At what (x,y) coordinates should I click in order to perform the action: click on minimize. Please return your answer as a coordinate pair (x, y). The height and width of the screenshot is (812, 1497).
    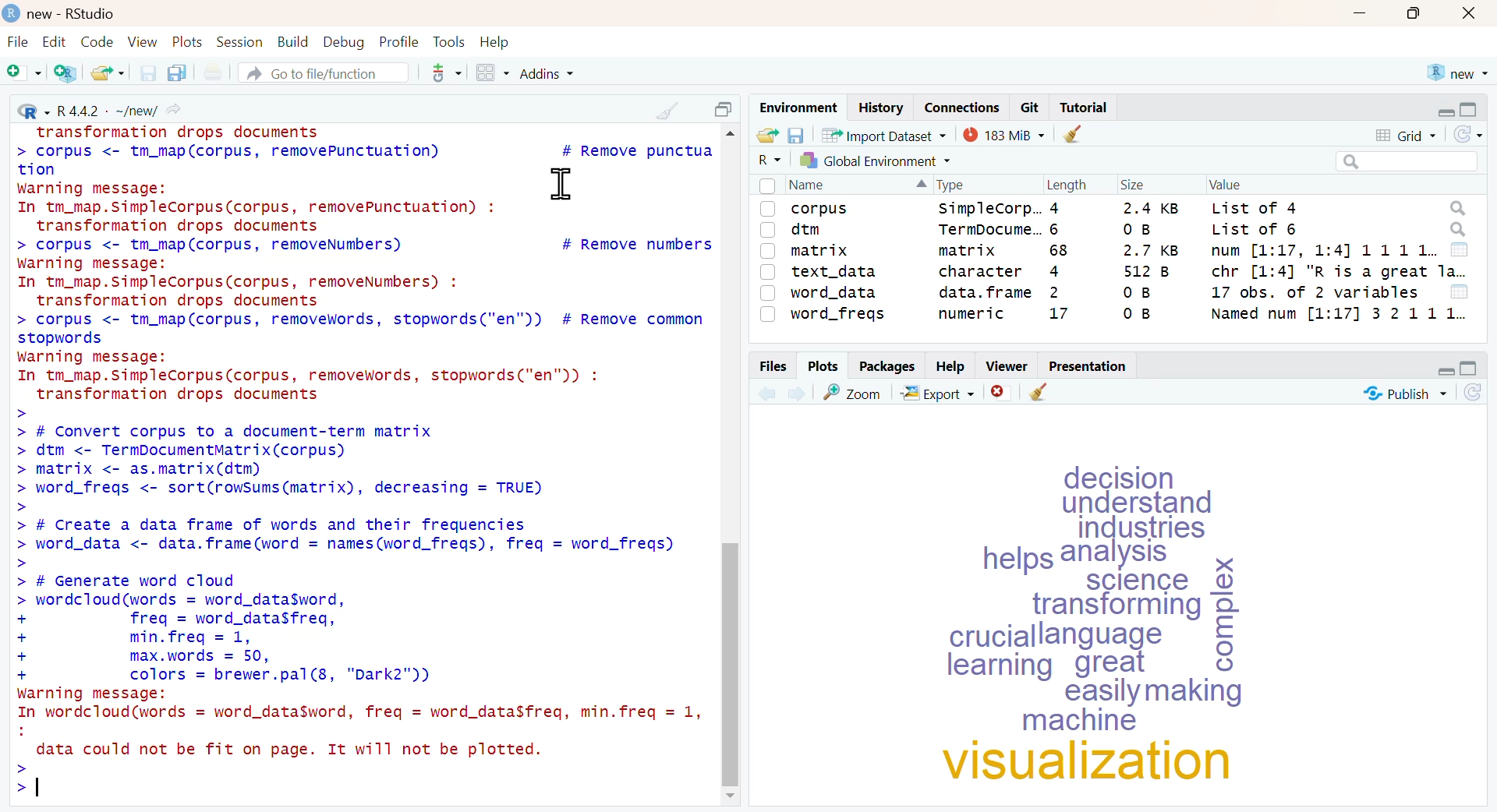
    Looking at the image, I should click on (1441, 369).